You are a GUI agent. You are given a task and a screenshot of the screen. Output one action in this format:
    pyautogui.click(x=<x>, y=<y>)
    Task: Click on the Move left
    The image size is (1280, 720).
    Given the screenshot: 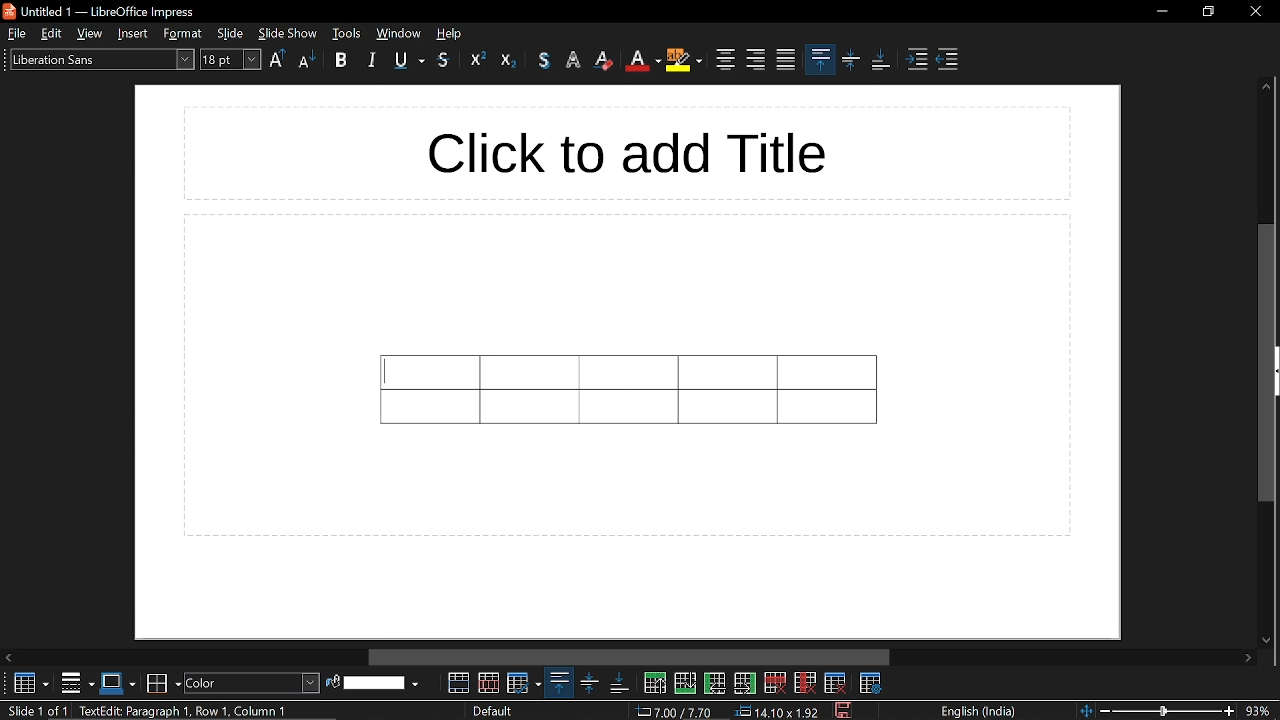 What is the action you would take?
    pyautogui.click(x=10, y=657)
    